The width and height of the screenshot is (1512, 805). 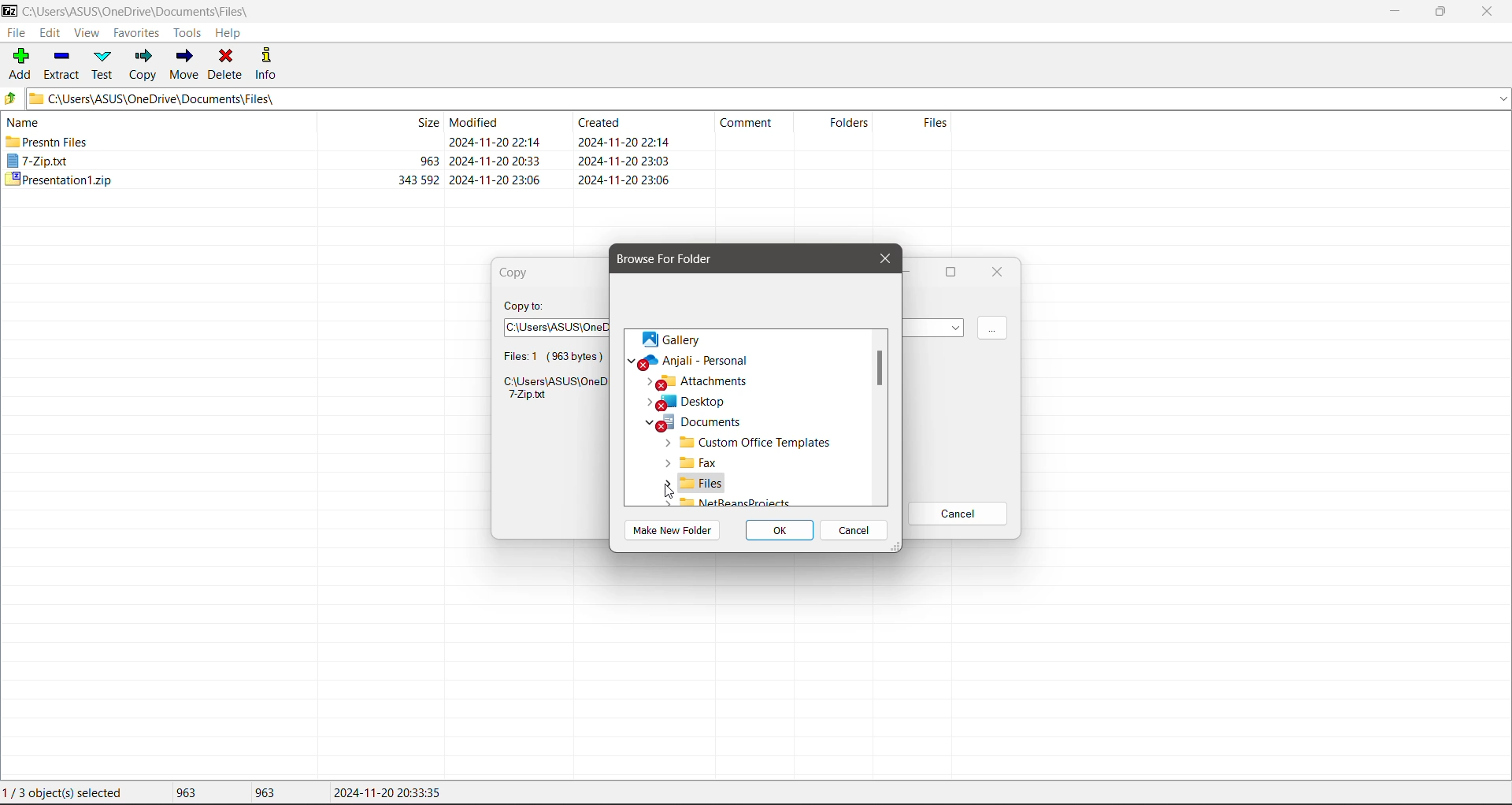 I want to click on Comment, so click(x=753, y=126).